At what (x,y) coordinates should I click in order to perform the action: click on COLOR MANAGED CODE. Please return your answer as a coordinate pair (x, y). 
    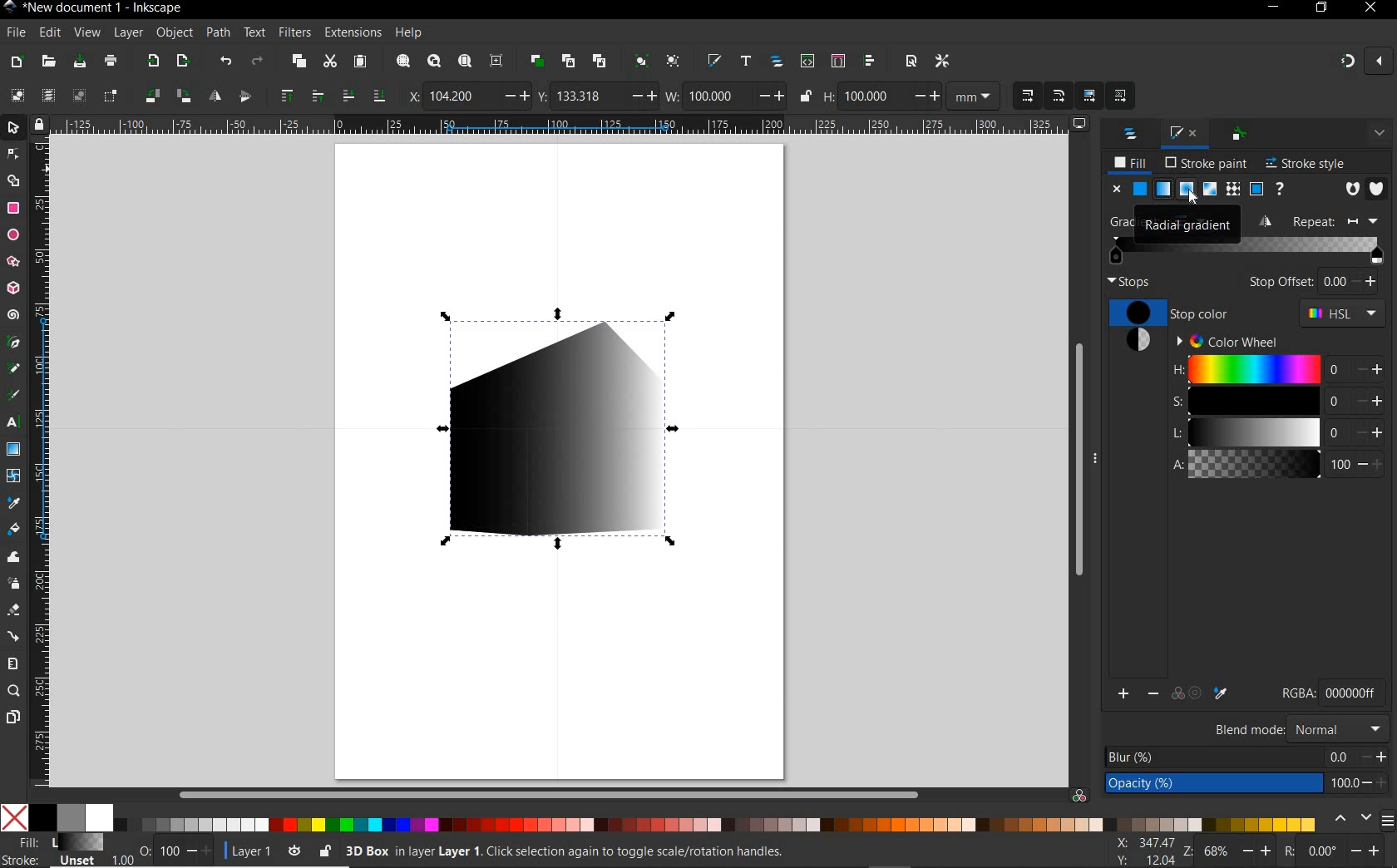
    Looking at the image, I should click on (1081, 793).